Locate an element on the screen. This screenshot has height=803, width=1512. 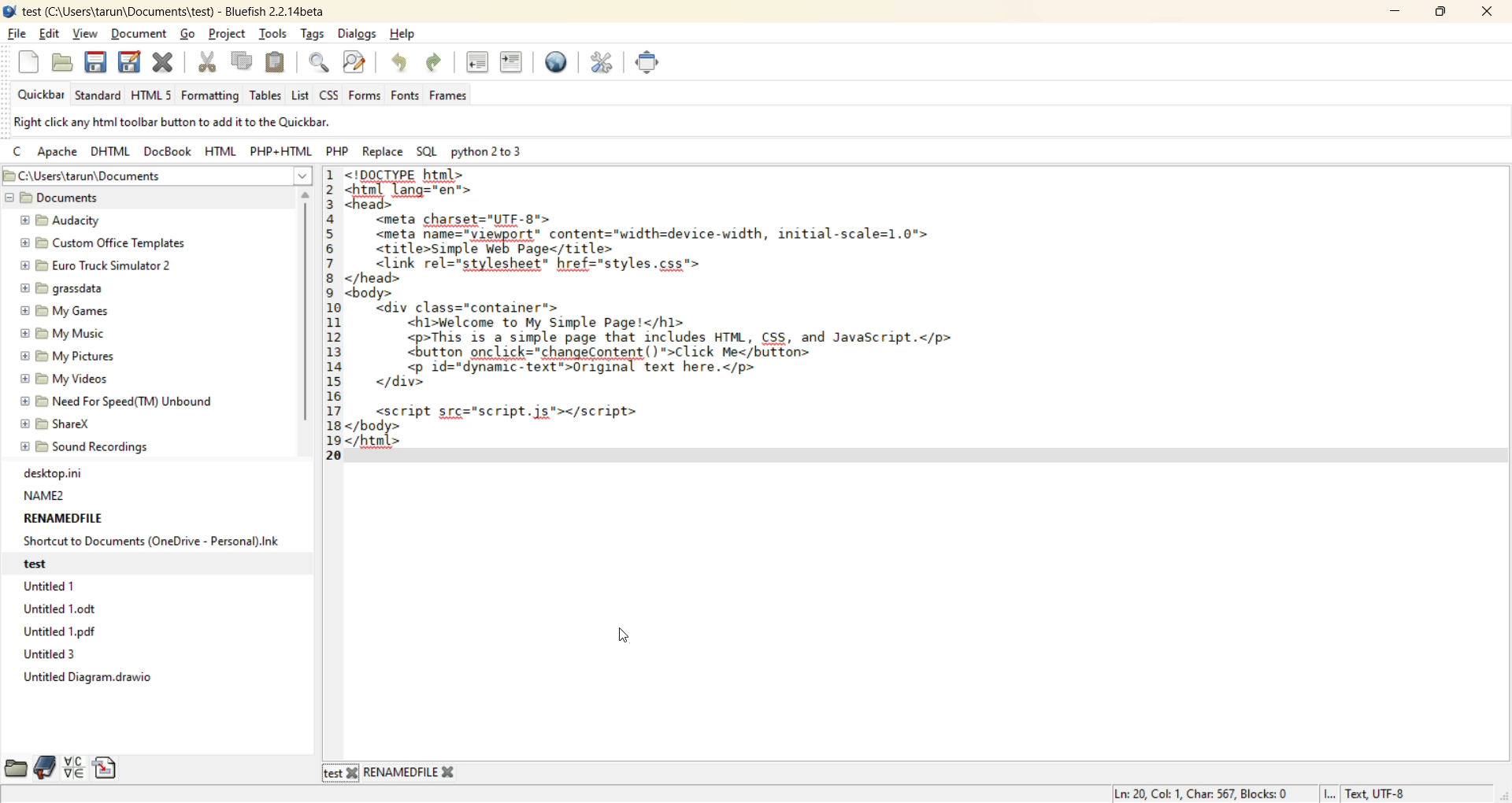
dialogs is located at coordinates (361, 35).